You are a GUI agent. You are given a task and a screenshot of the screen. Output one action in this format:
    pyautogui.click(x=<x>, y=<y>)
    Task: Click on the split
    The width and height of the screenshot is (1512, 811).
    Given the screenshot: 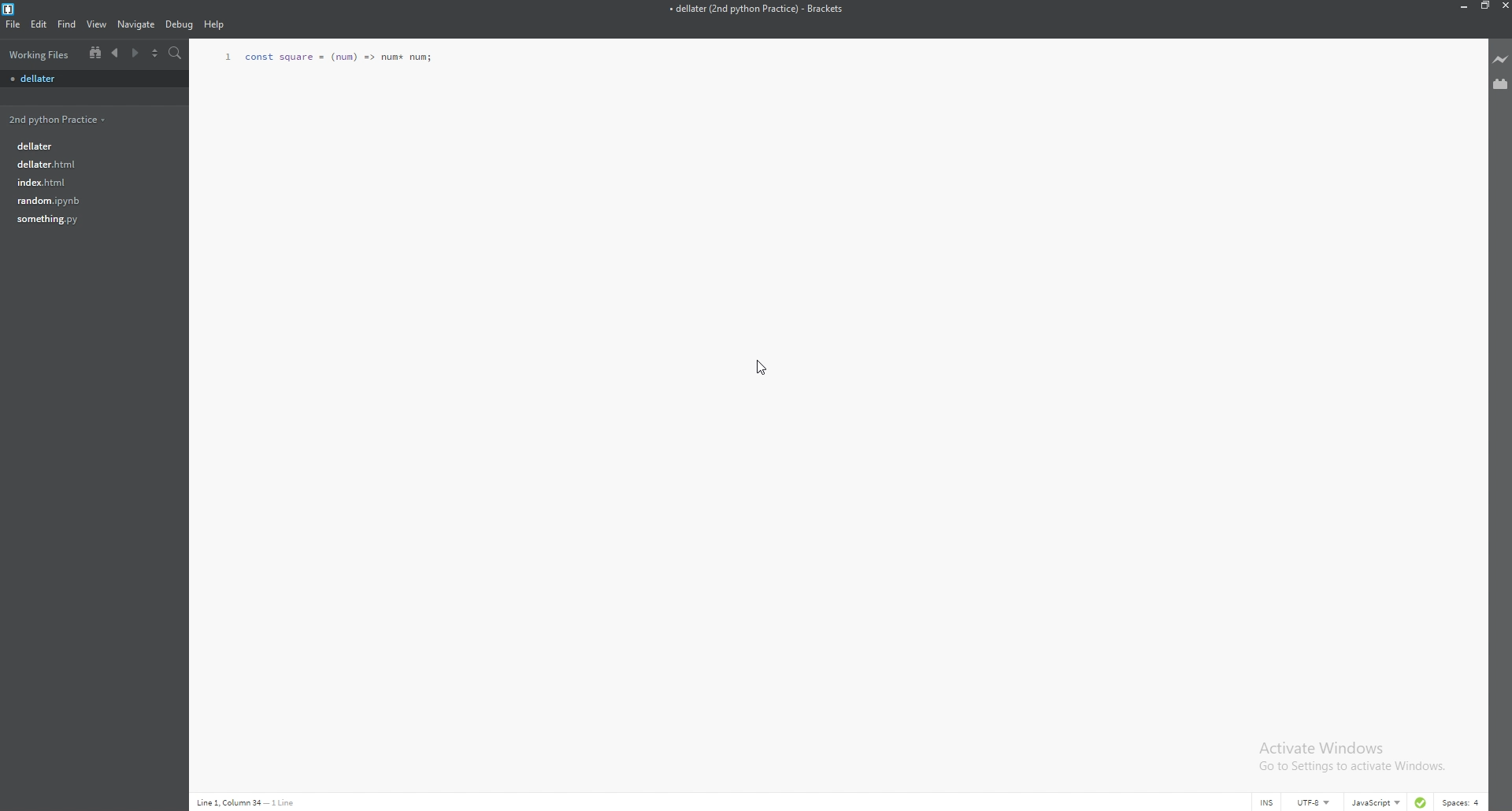 What is the action you would take?
    pyautogui.click(x=156, y=54)
    